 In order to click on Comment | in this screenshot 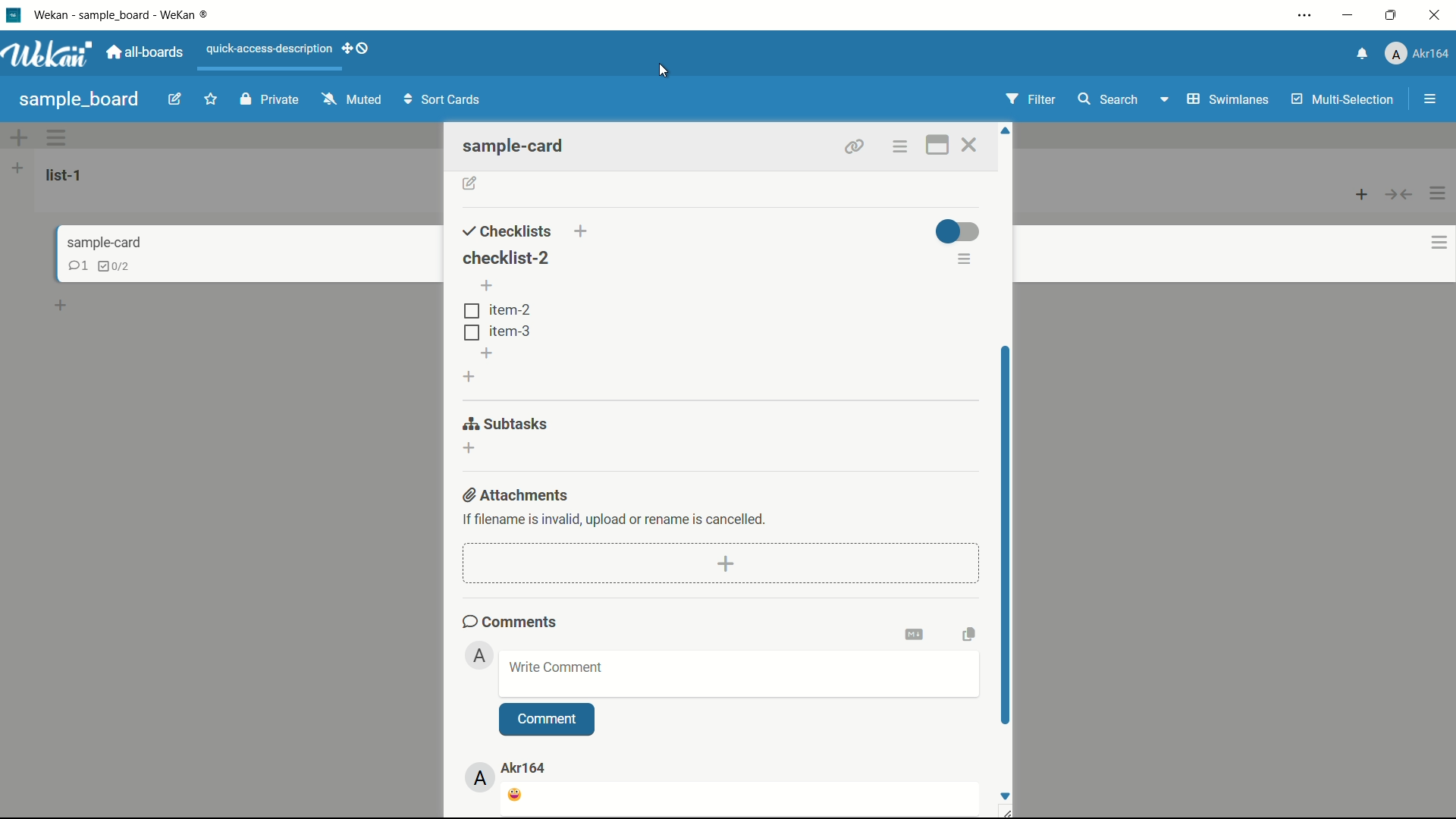, I will do `click(545, 718)`.